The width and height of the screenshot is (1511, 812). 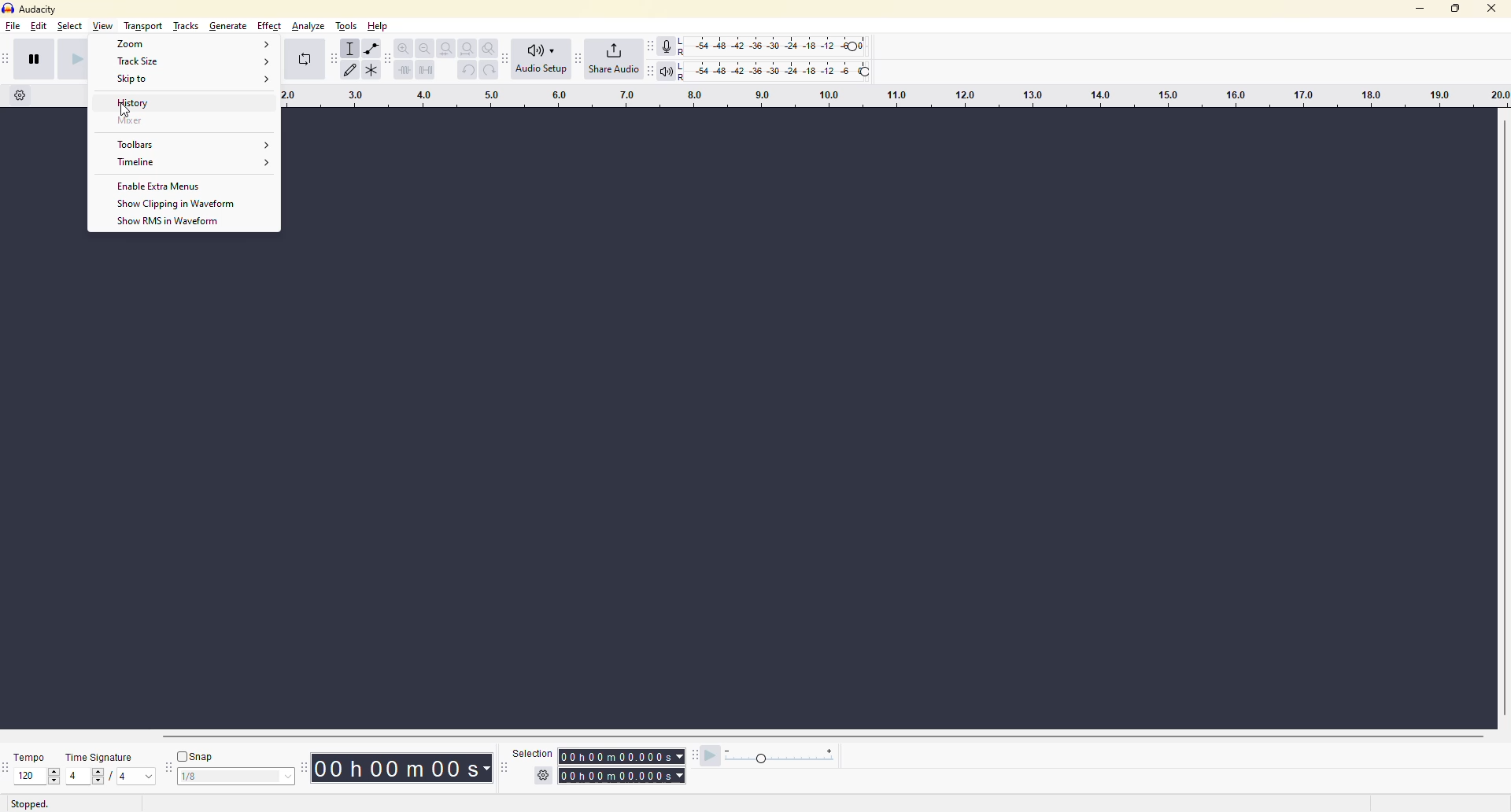 I want to click on view, so click(x=104, y=28).